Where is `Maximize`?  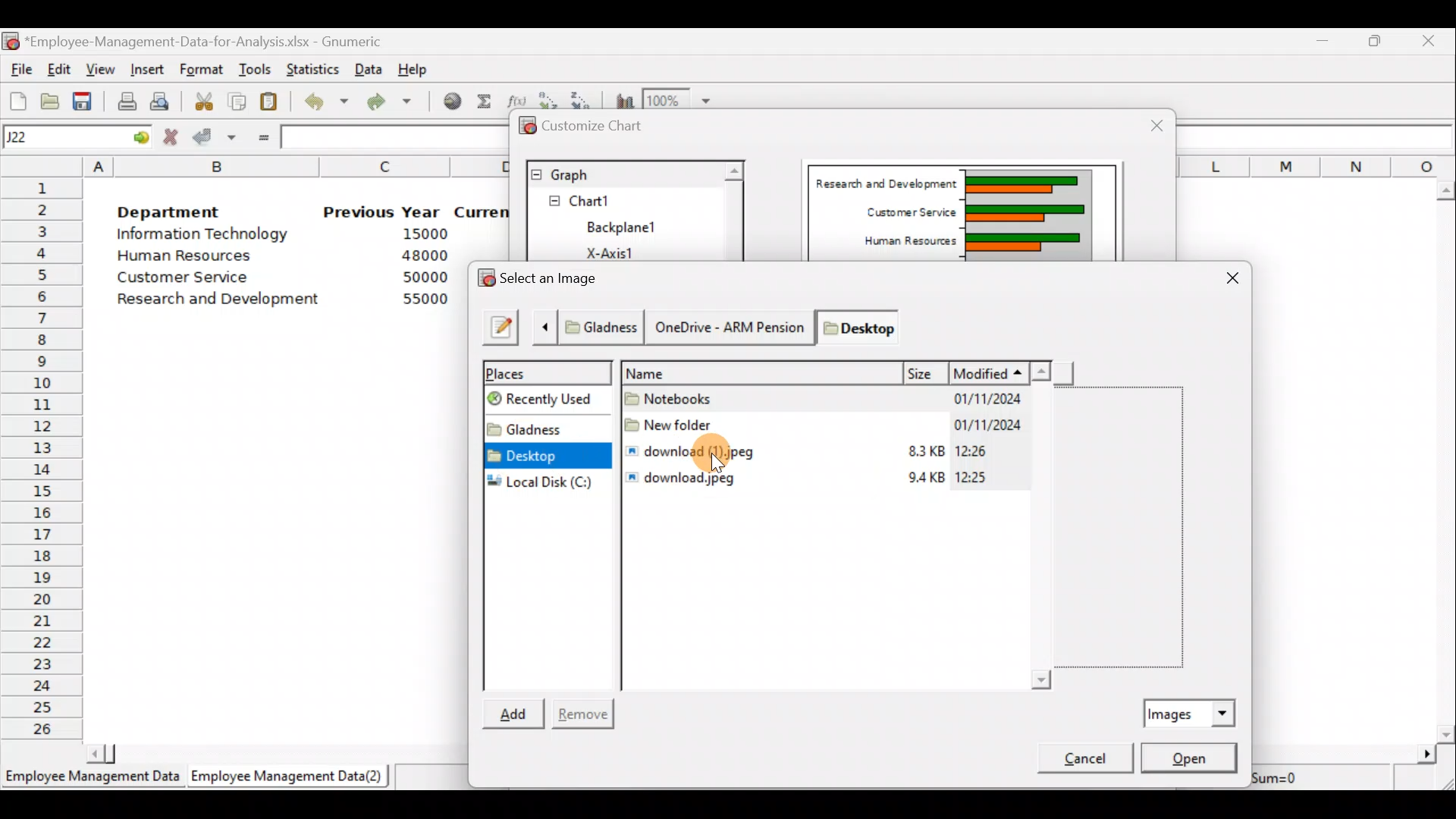 Maximize is located at coordinates (1379, 41).